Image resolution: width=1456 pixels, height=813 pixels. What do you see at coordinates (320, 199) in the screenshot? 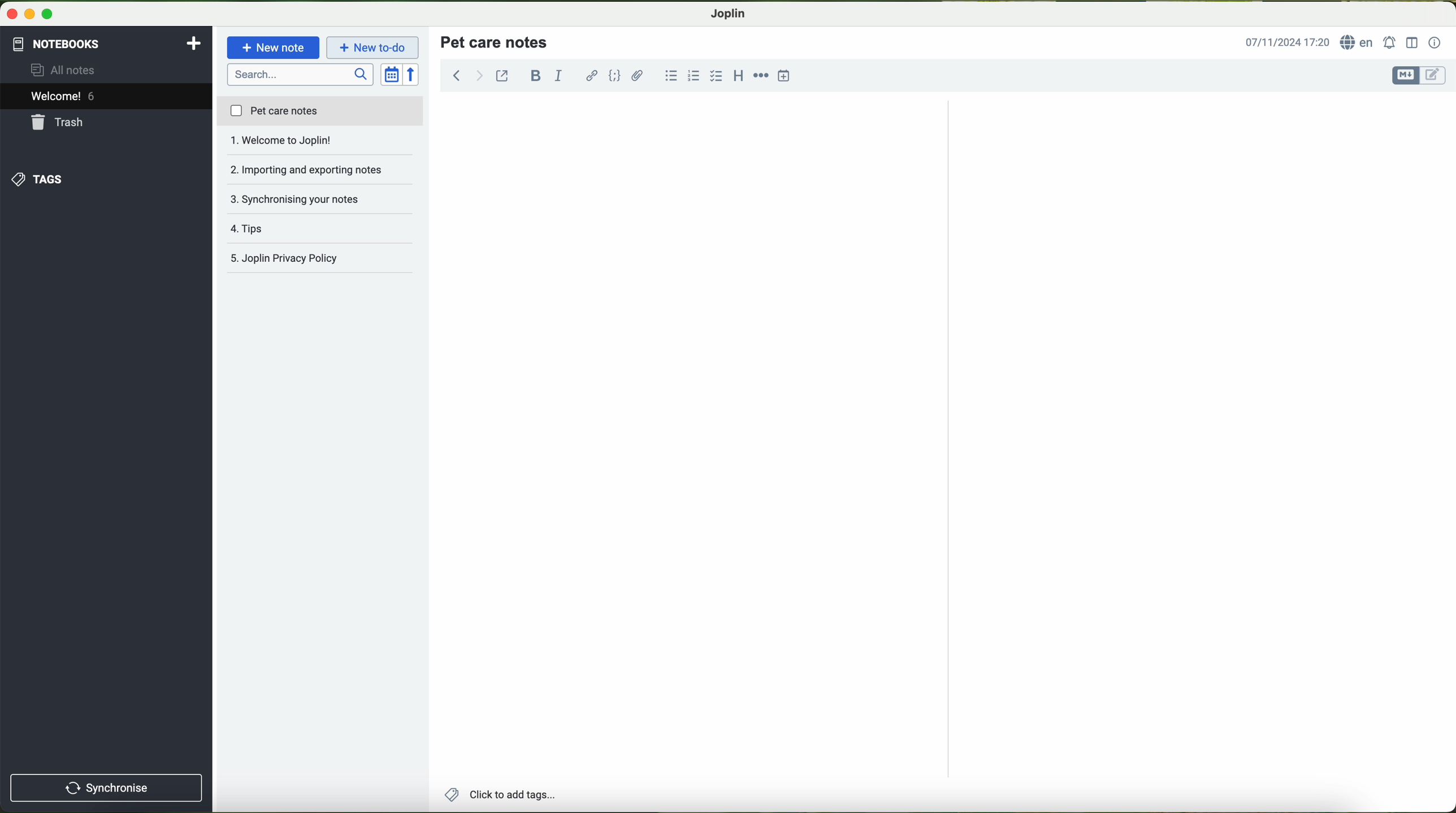
I see `tips` at bounding box center [320, 199].